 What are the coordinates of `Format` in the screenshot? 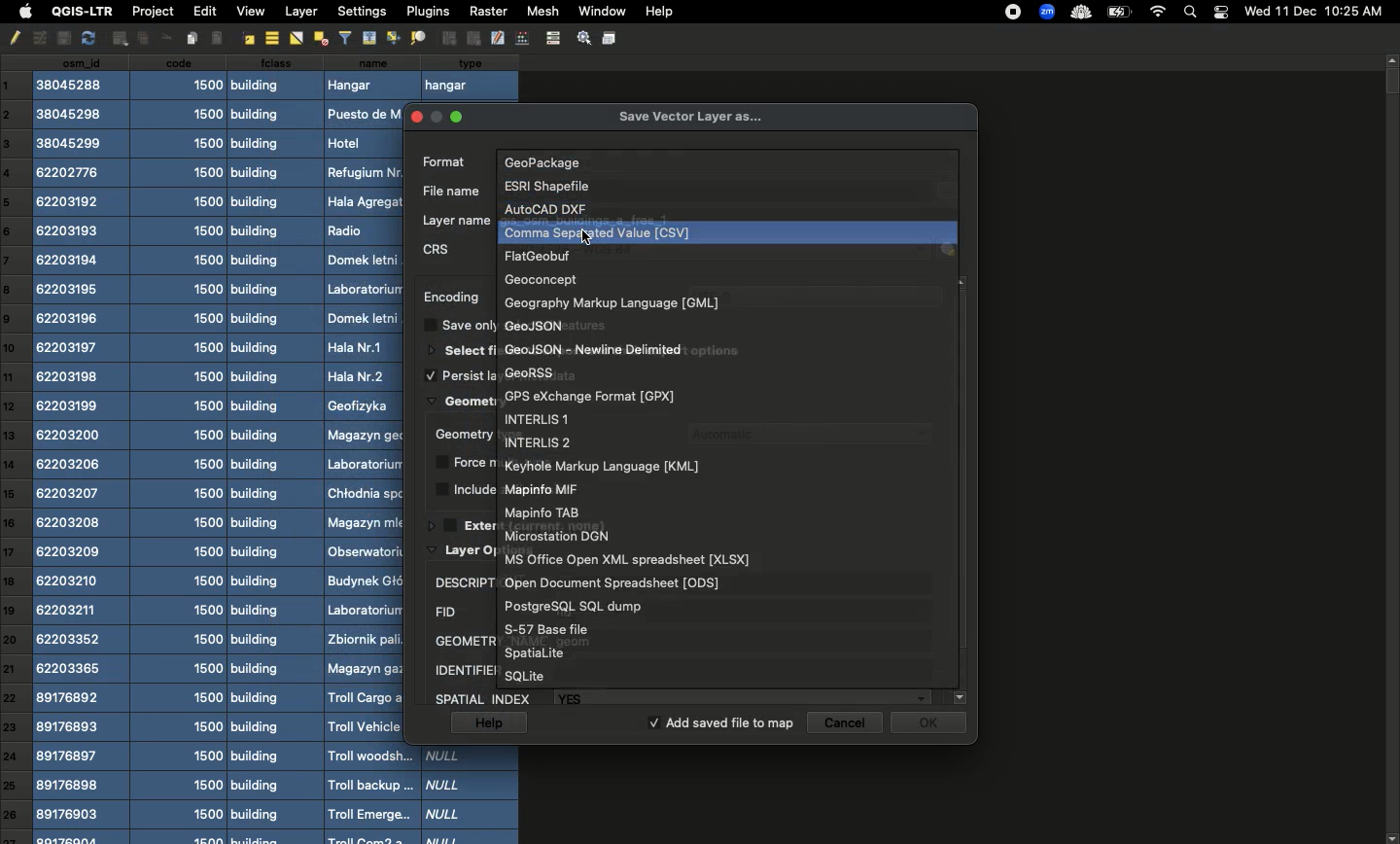 It's located at (616, 300).